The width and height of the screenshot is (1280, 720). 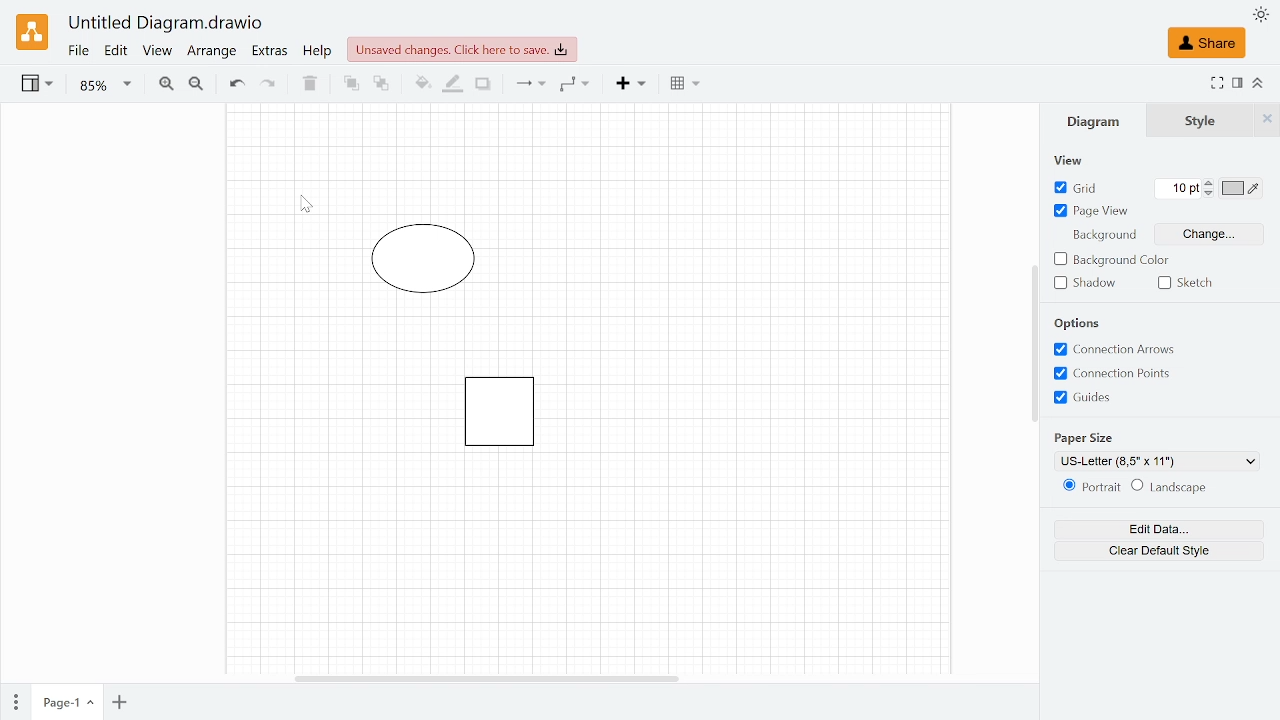 What do you see at coordinates (307, 84) in the screenshot?
I see `Delete` at bounding box center [307, 84].